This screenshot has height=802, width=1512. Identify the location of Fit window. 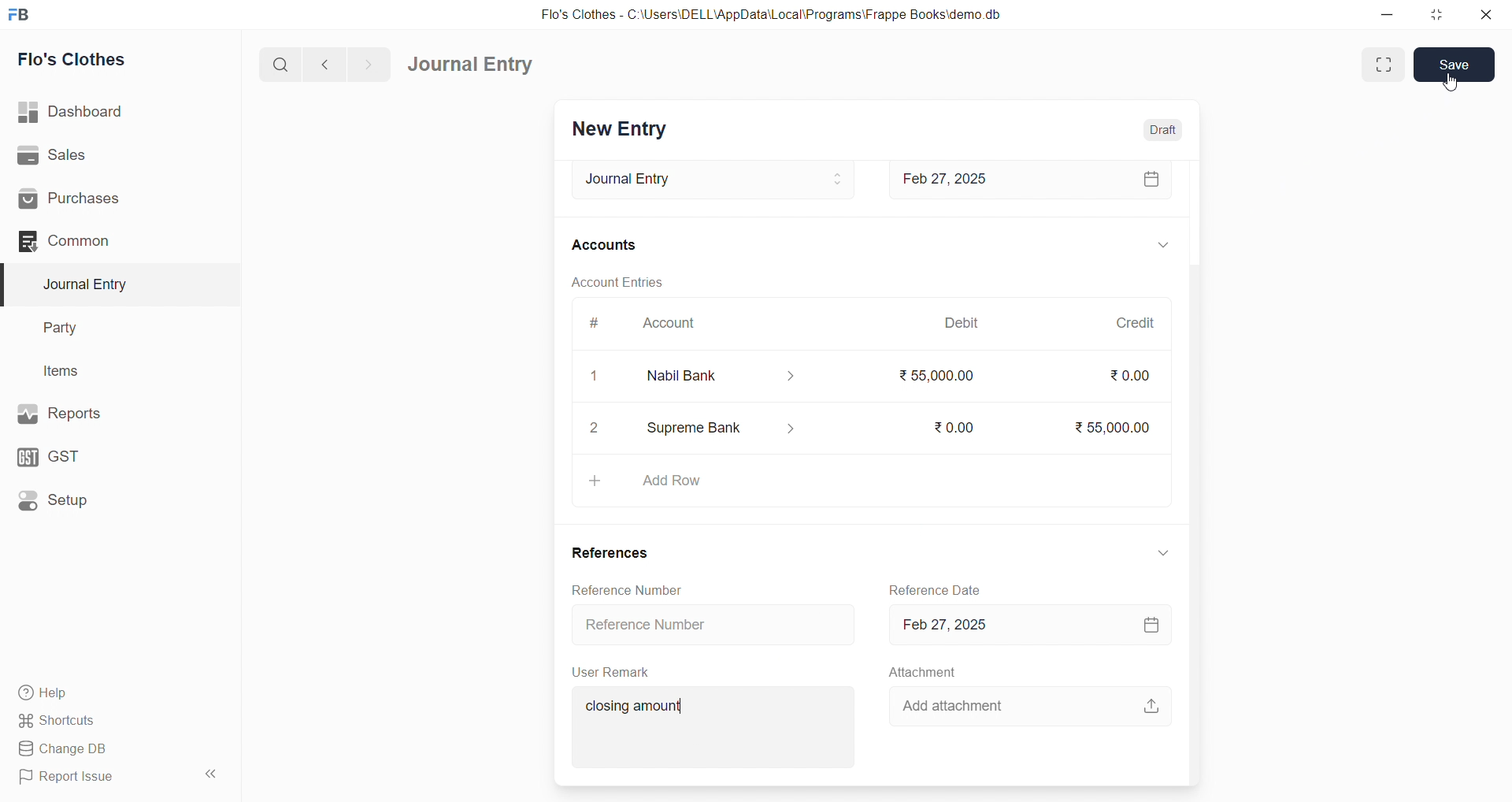
(1381, 65).